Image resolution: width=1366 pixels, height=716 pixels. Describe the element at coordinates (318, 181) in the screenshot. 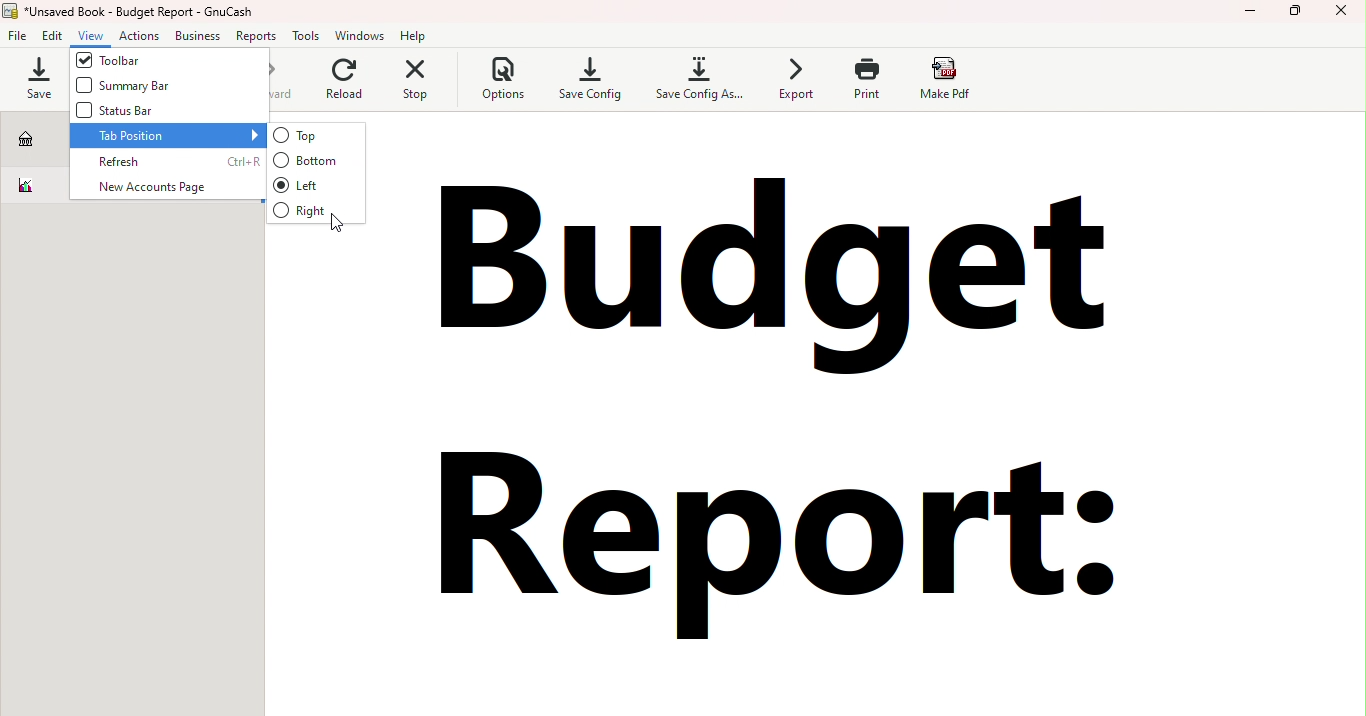

I see `Left` at that location.